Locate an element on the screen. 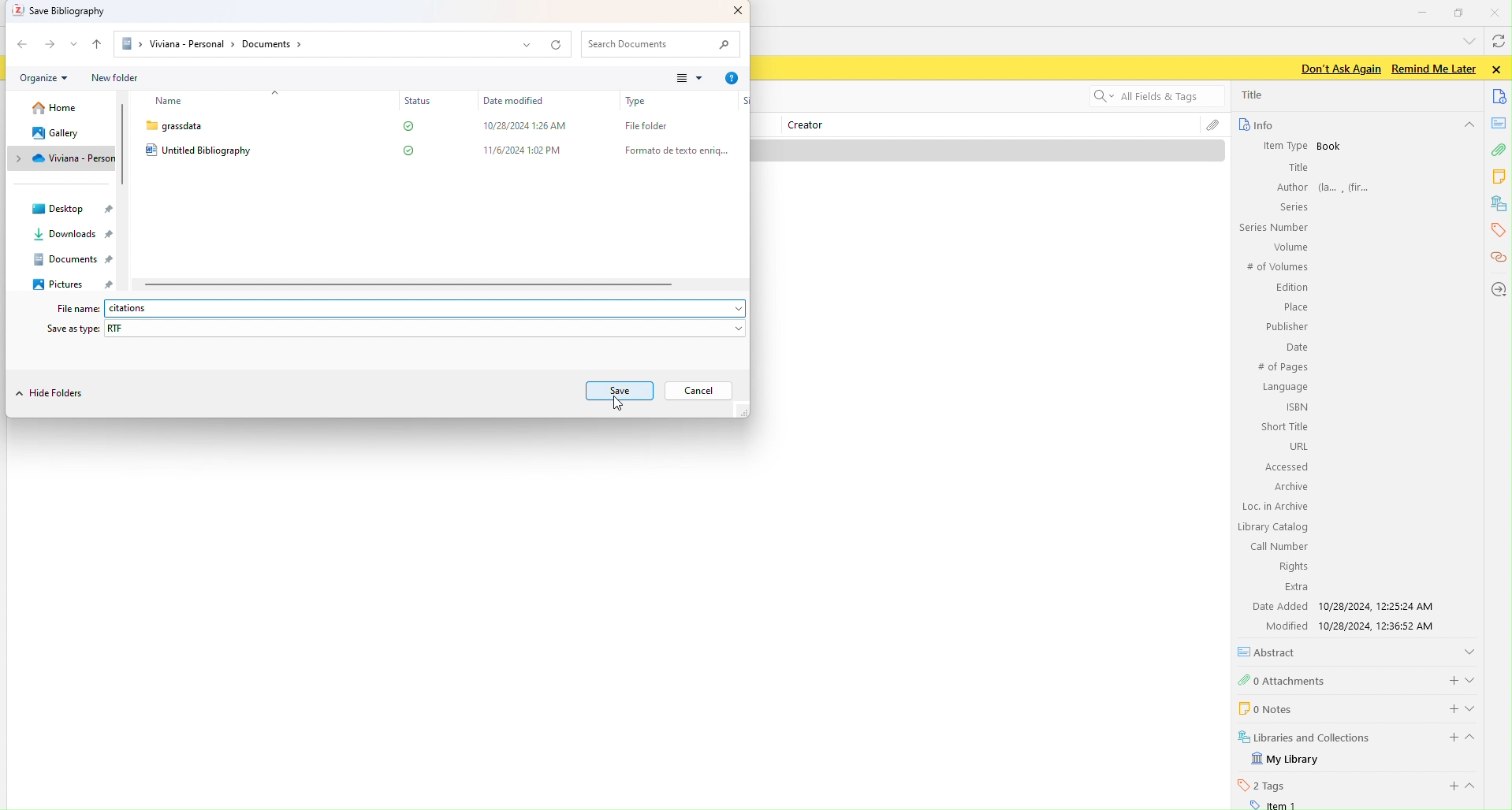  Library Catalog is located at coordinates (1274, 527).